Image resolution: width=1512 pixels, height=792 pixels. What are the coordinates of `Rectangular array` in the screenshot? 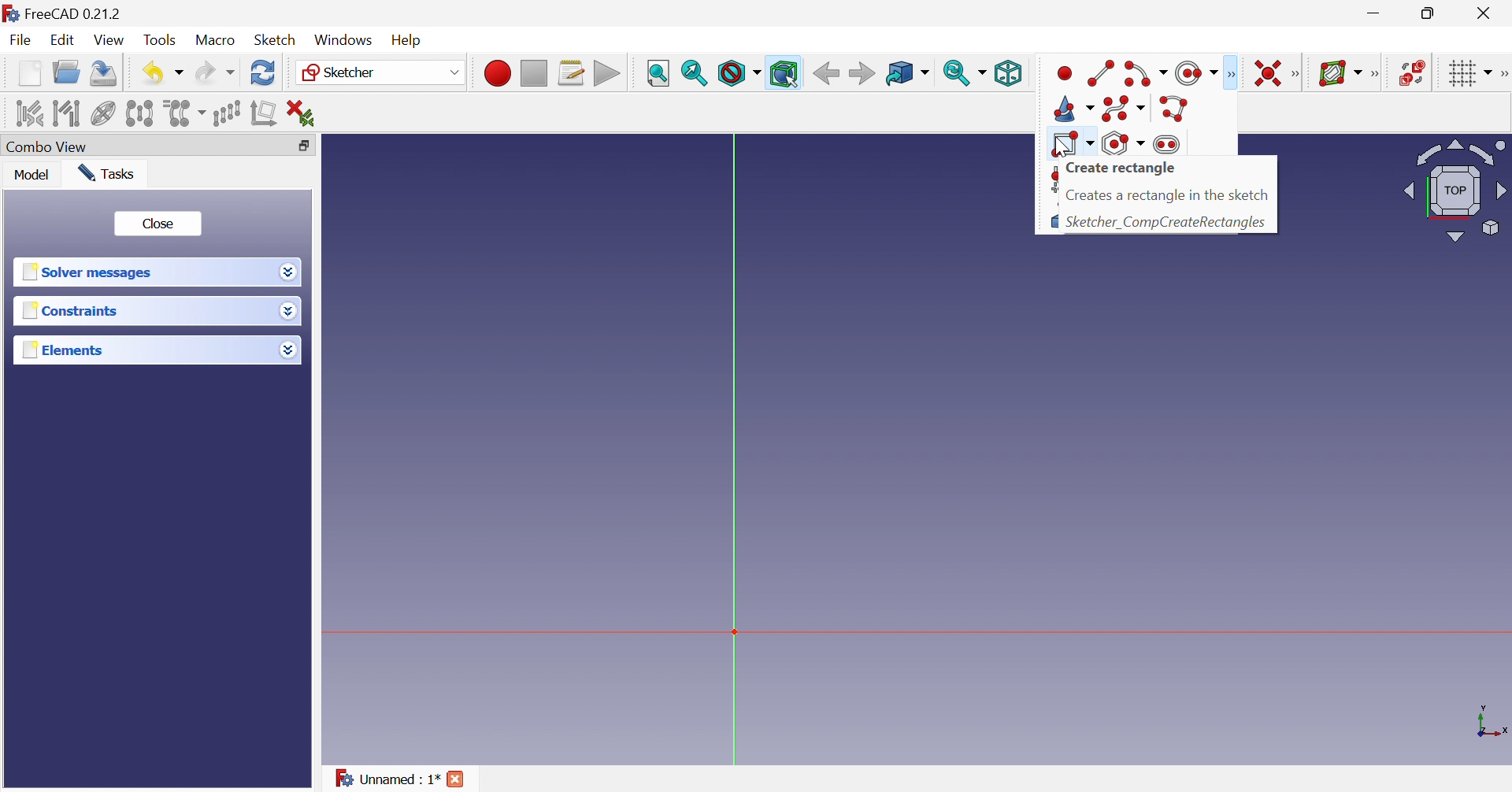 It's located at (228, 114).